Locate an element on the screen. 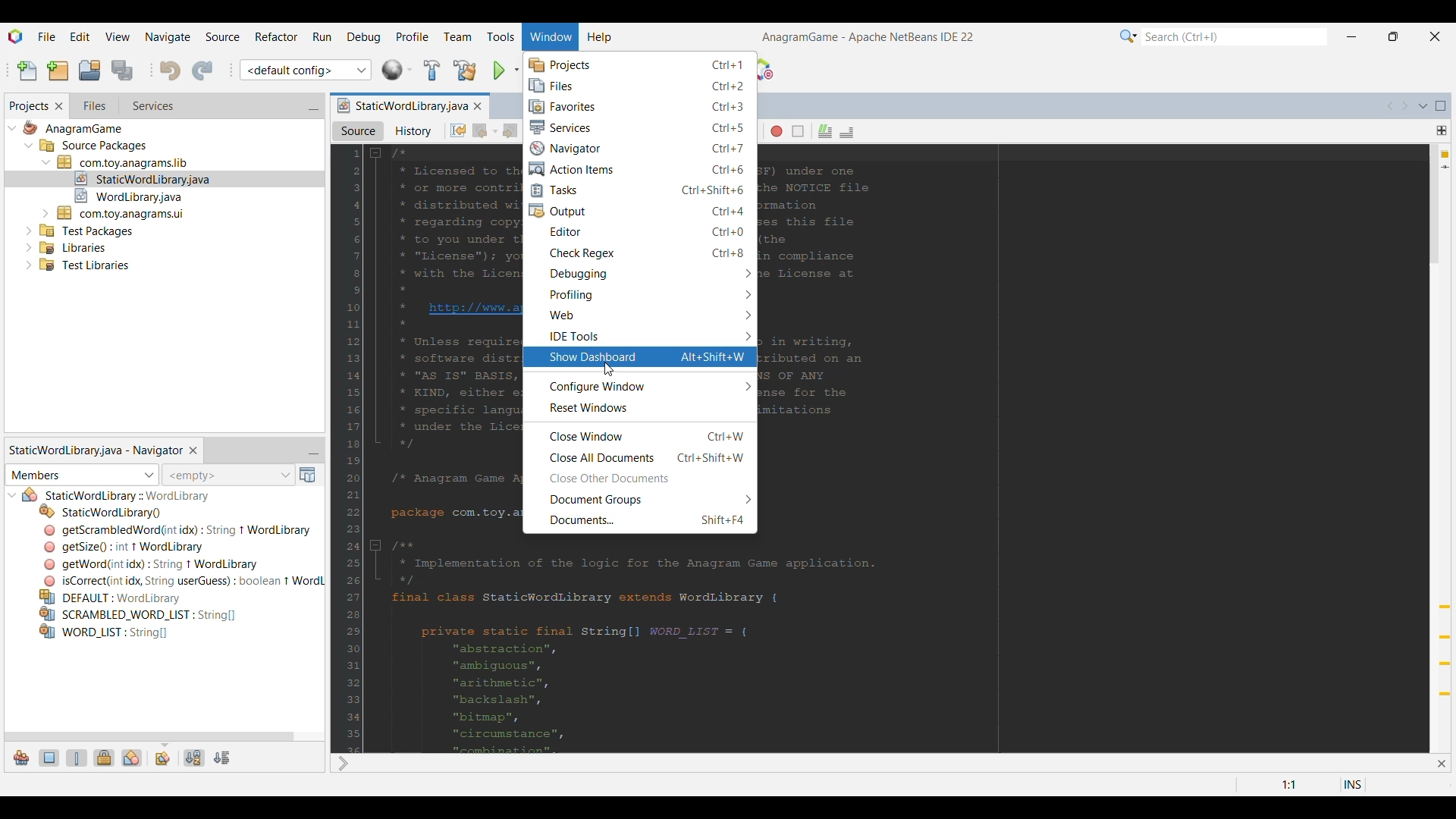  Members/Bean patterns is located at coordinates (82, 475).